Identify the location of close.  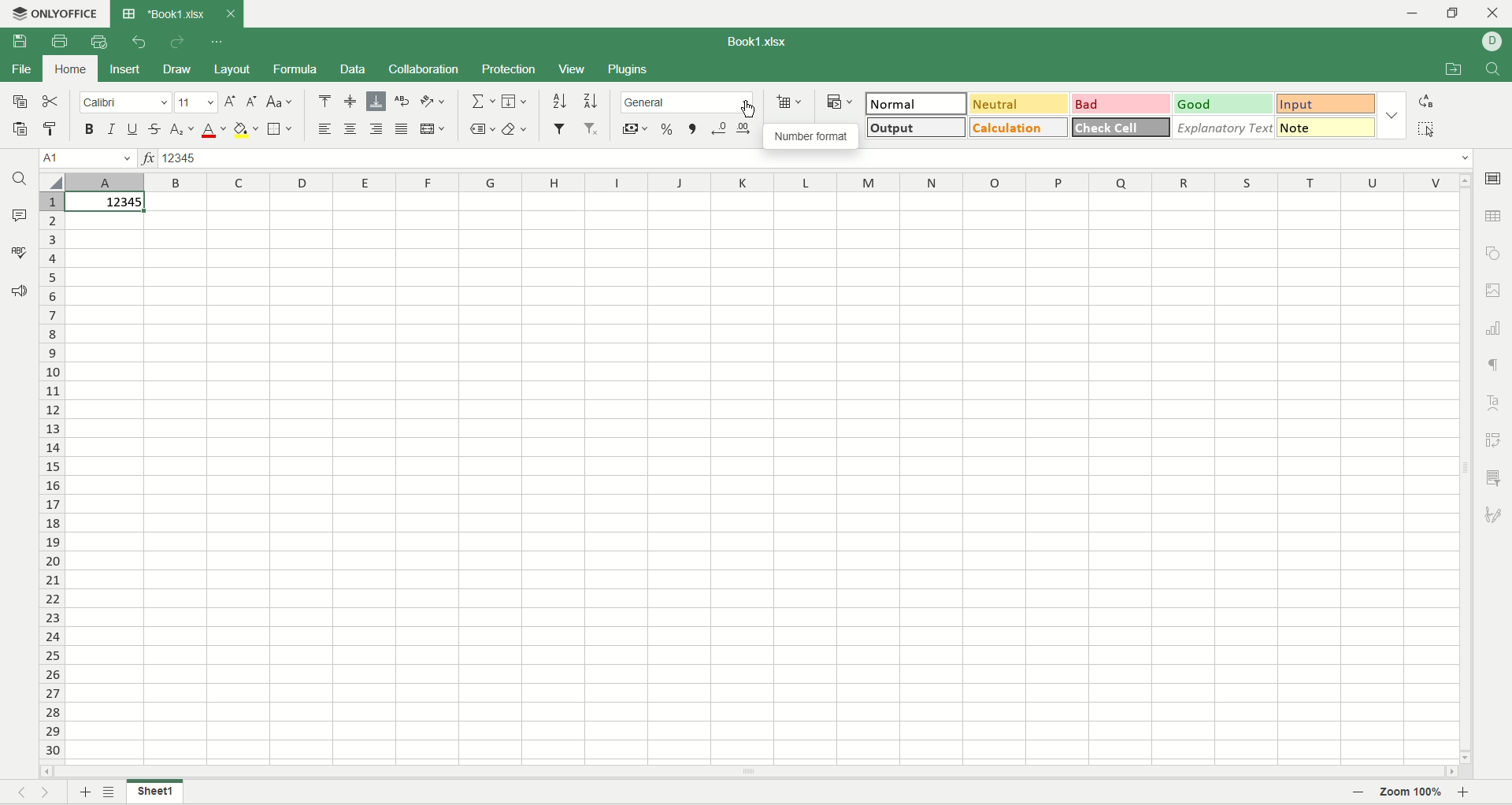
(1492, 13).